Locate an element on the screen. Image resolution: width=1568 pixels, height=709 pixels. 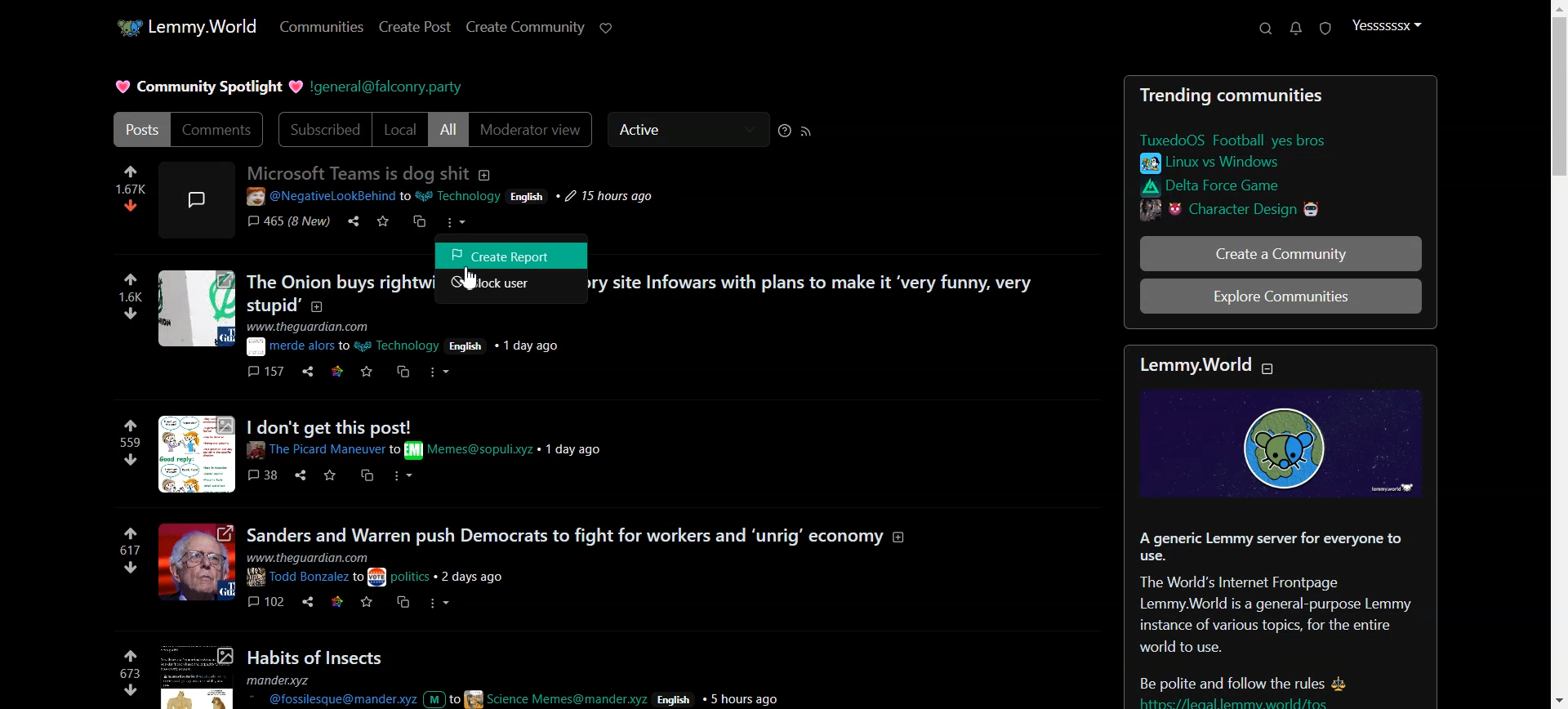
 is located at coordinates (434, 435).